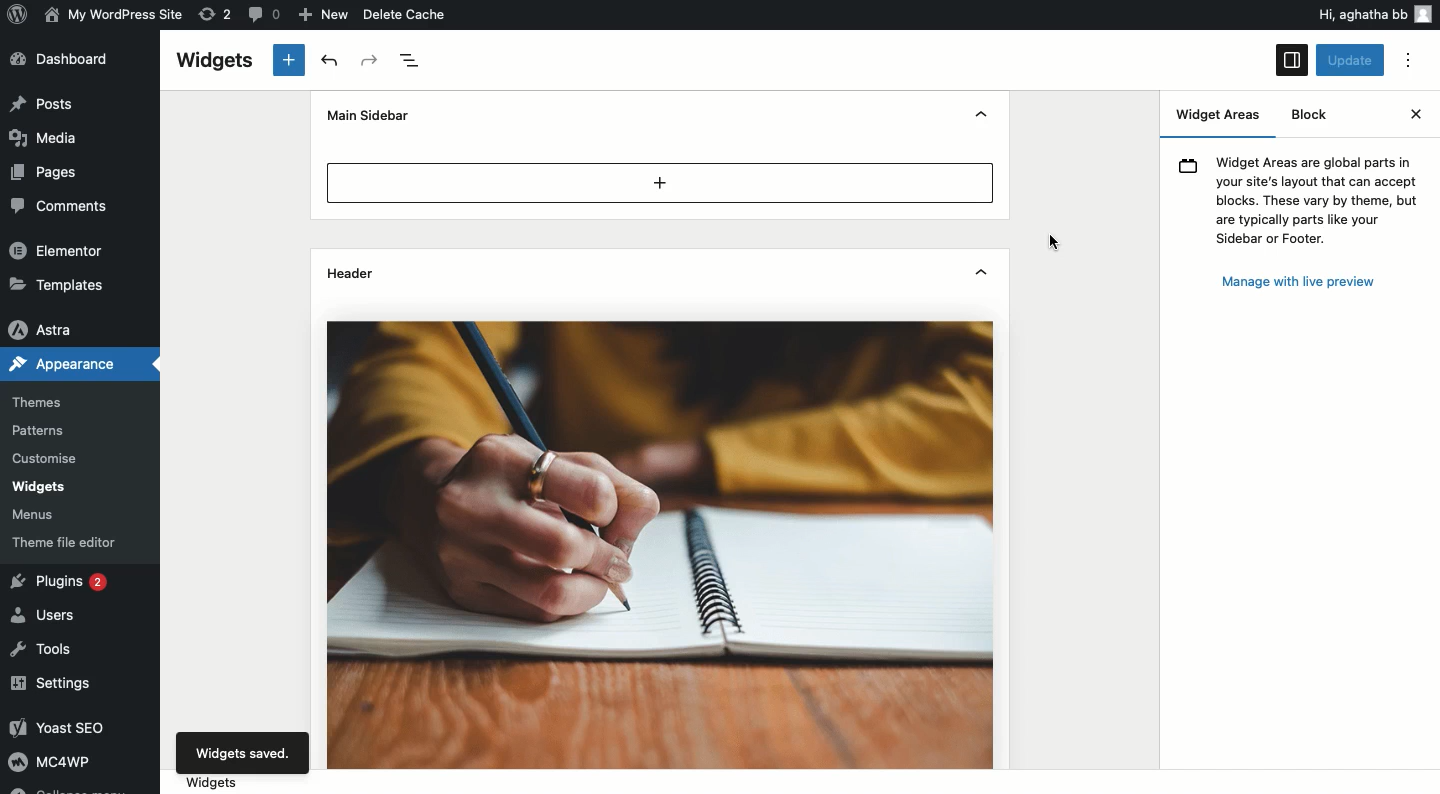  Describe the element at coordinates (19, 13) in the screenshot. I see `Logo` at that location.